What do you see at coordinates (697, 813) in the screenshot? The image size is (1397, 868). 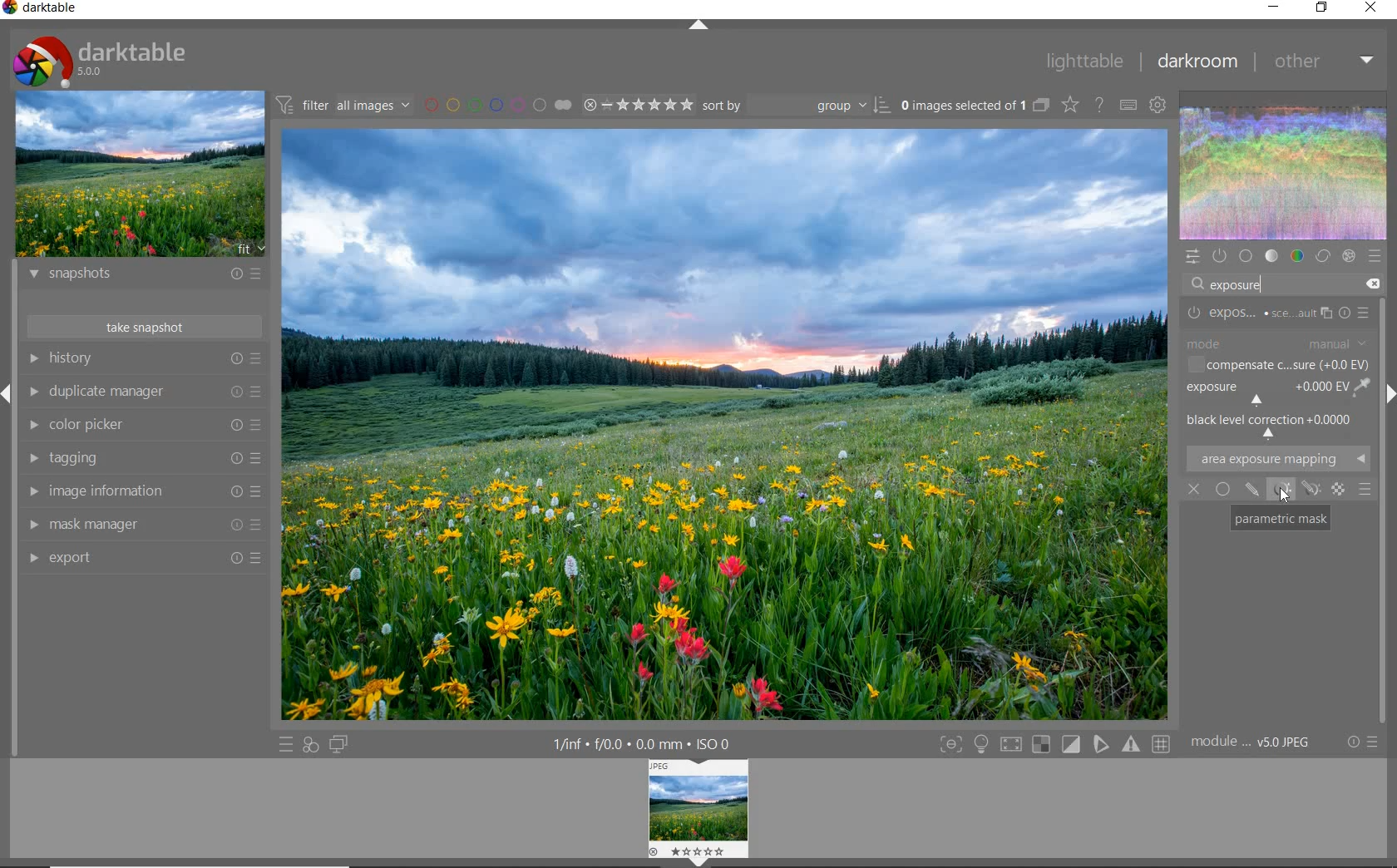 I see `image preview` at bounding box center [697, 813].